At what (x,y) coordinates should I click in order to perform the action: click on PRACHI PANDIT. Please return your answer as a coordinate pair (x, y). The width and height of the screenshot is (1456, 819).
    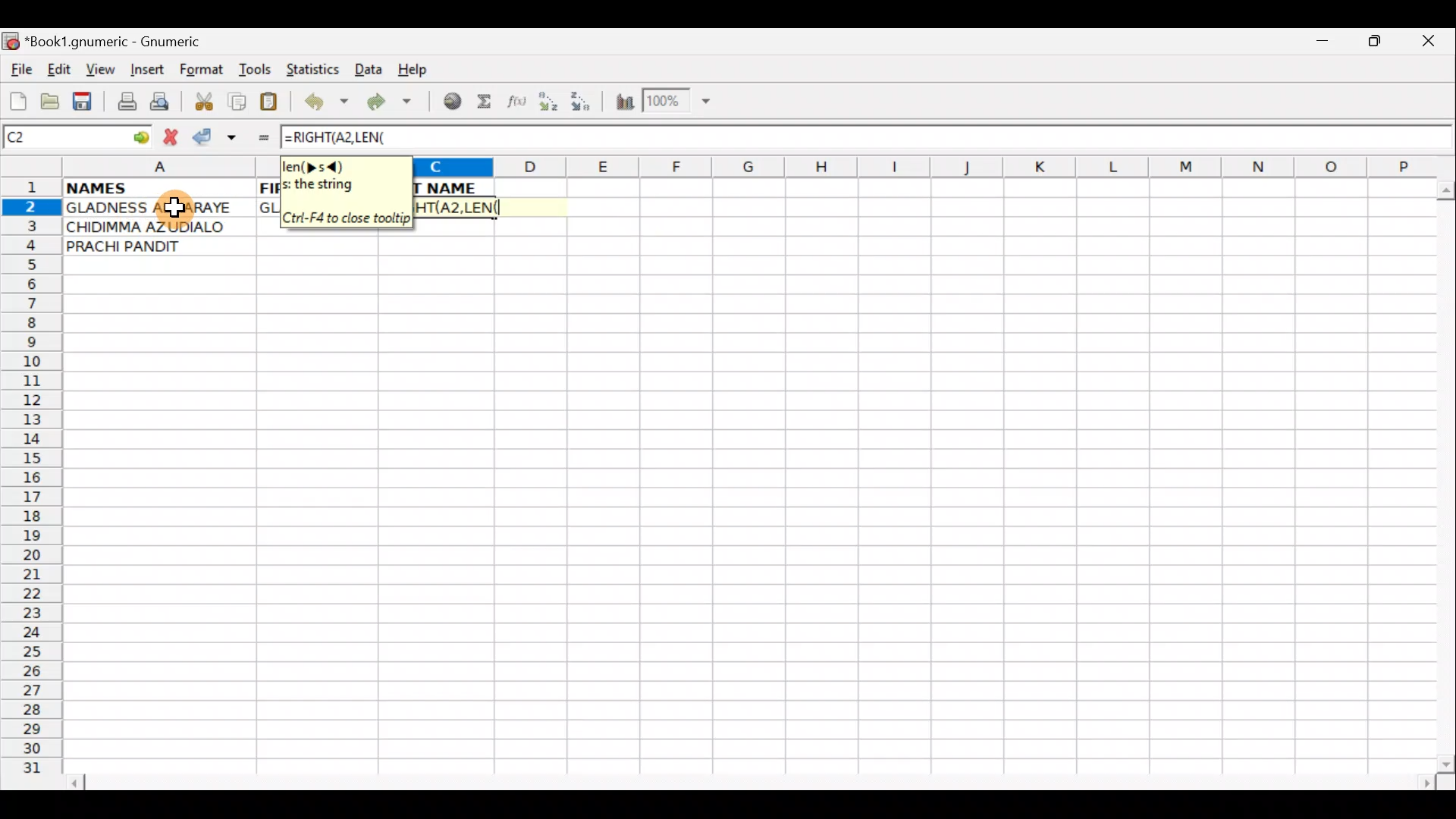
    Looking at the image, I should click on (153, 246).